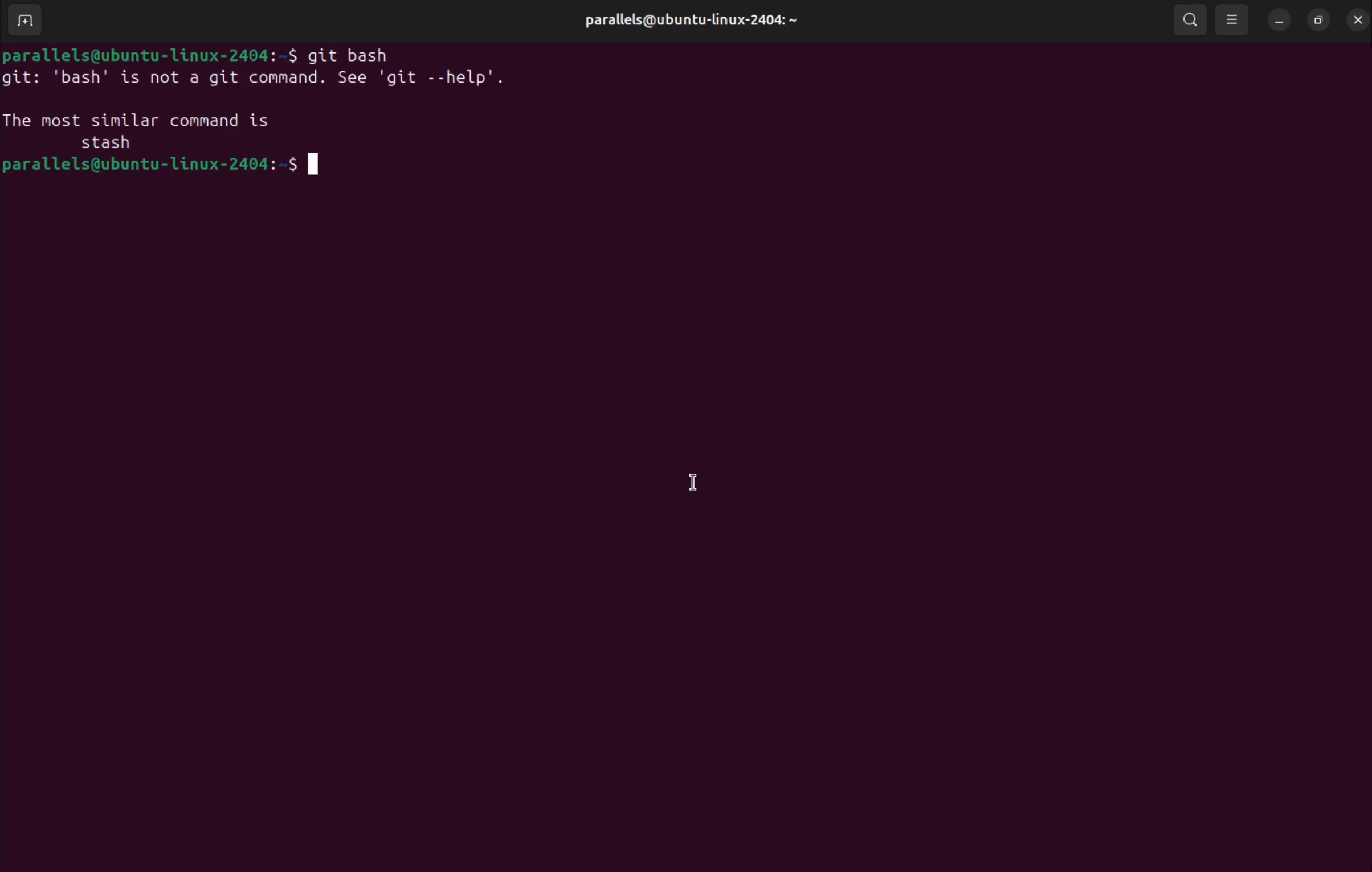 This screenshot has height=872, width=1372. What do you see at coordinates (27, 18) in the screenshot?
I see `add terminal` at bounding box center [27, 18].